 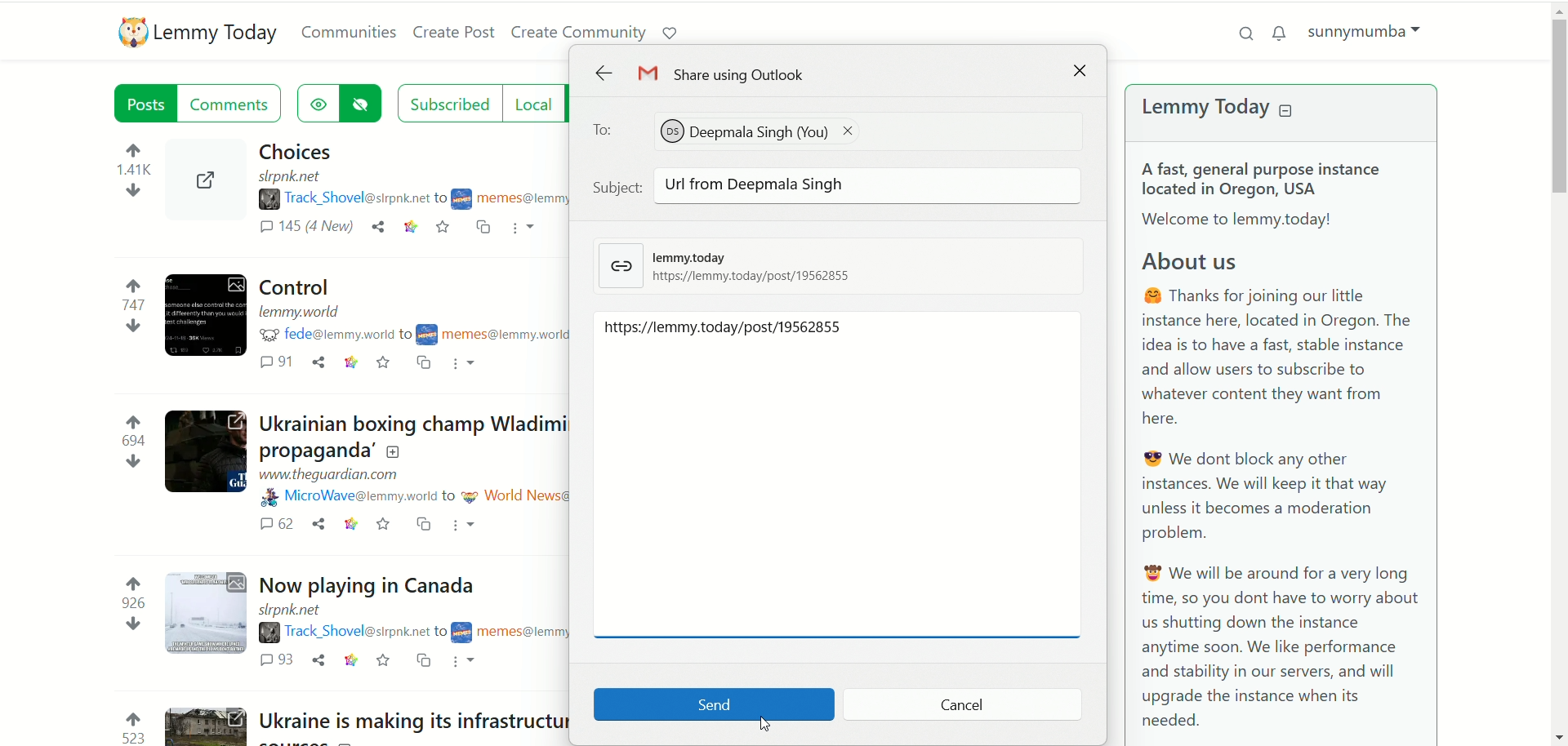 What do you see at coordinates (317, 659) in the screenshot?
I see `share` at bounding box center [317, 659].